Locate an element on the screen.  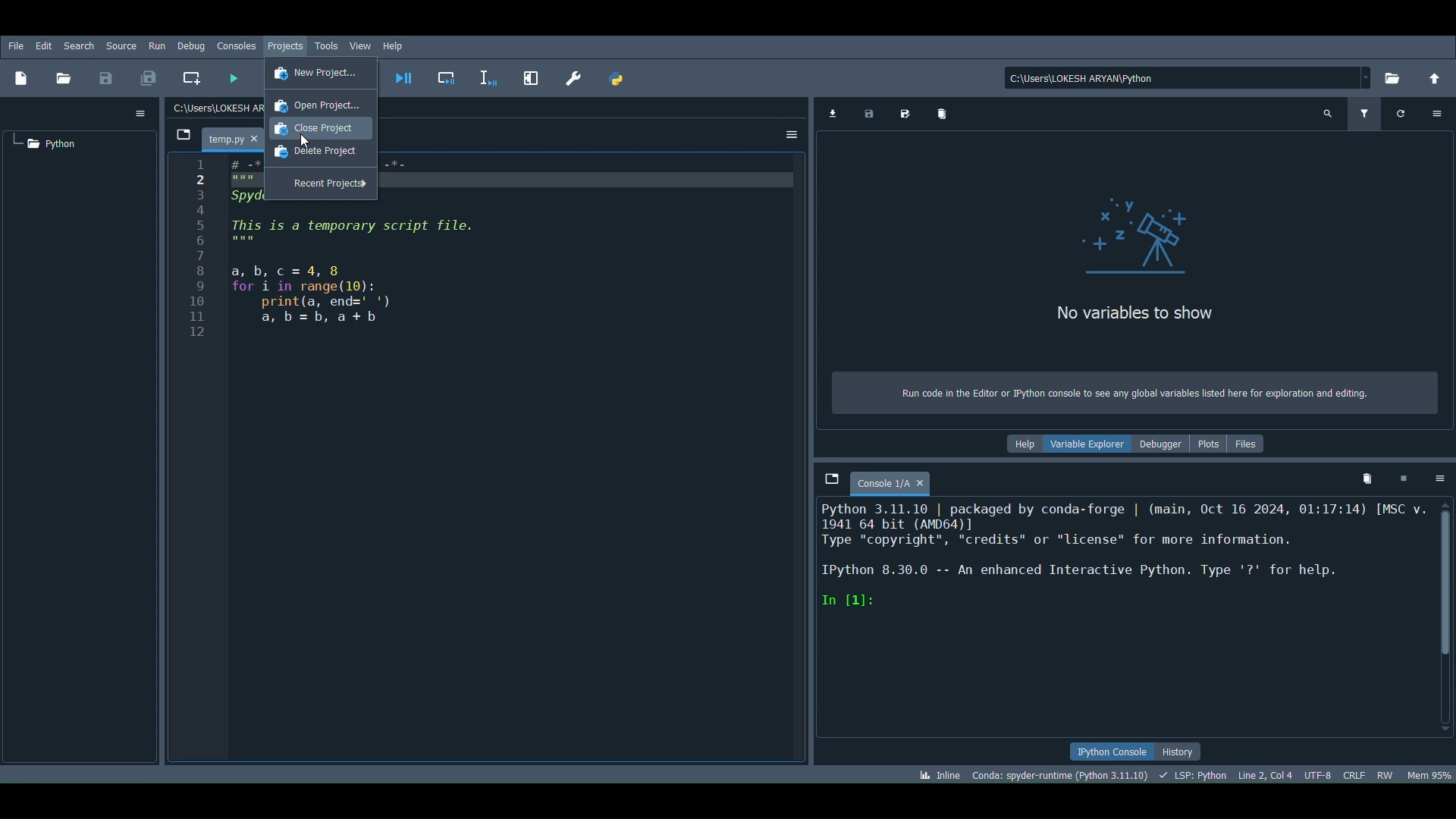
Save data as is located at coordinates (905, 113).